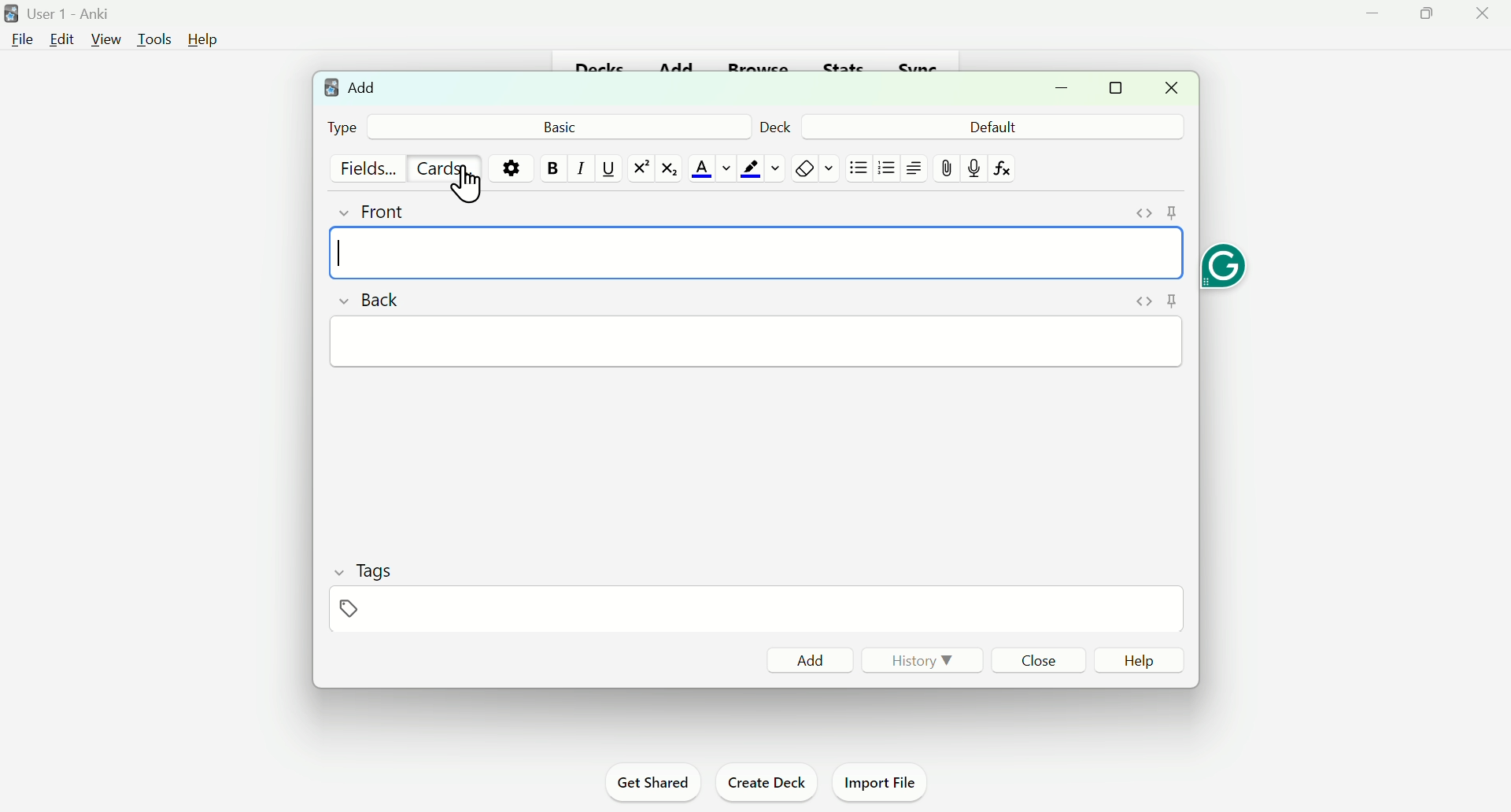  What do you see at coordinates (203, 40) in the screenshot?
I see `Help` at bounding box center [203, 40].